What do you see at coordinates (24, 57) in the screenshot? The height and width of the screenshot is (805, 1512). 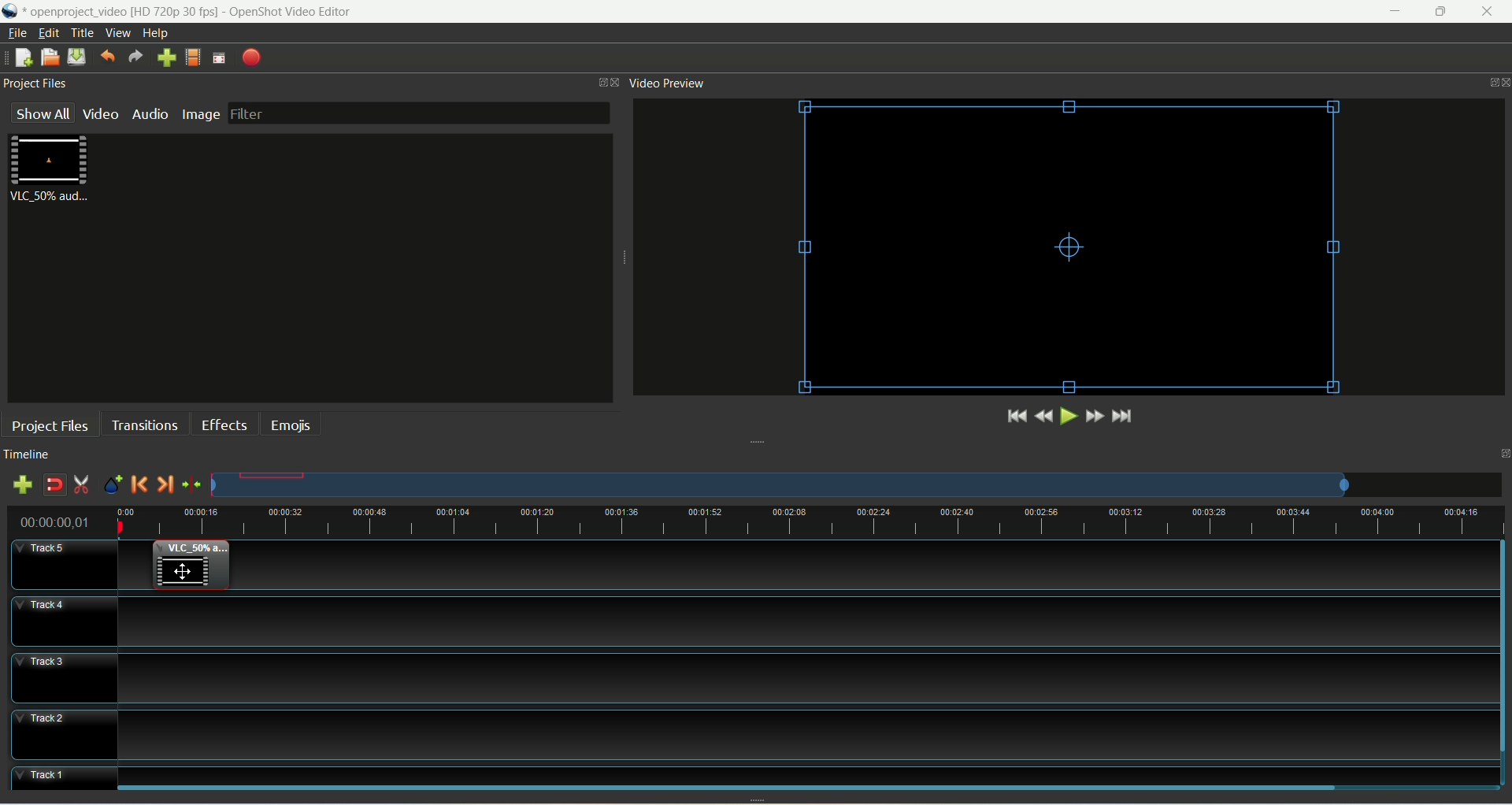 I see `new project` at bounding box center [24, 57].